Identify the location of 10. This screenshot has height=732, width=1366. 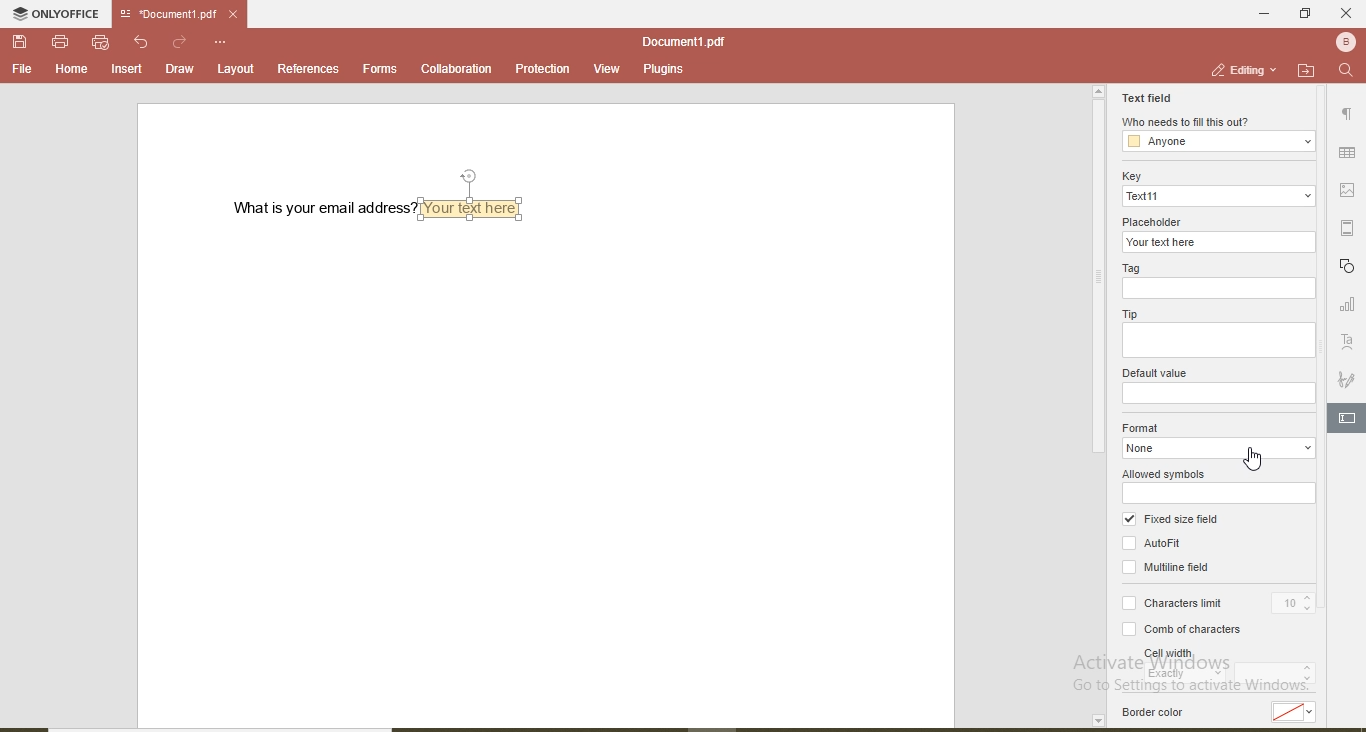
(1294, 601).